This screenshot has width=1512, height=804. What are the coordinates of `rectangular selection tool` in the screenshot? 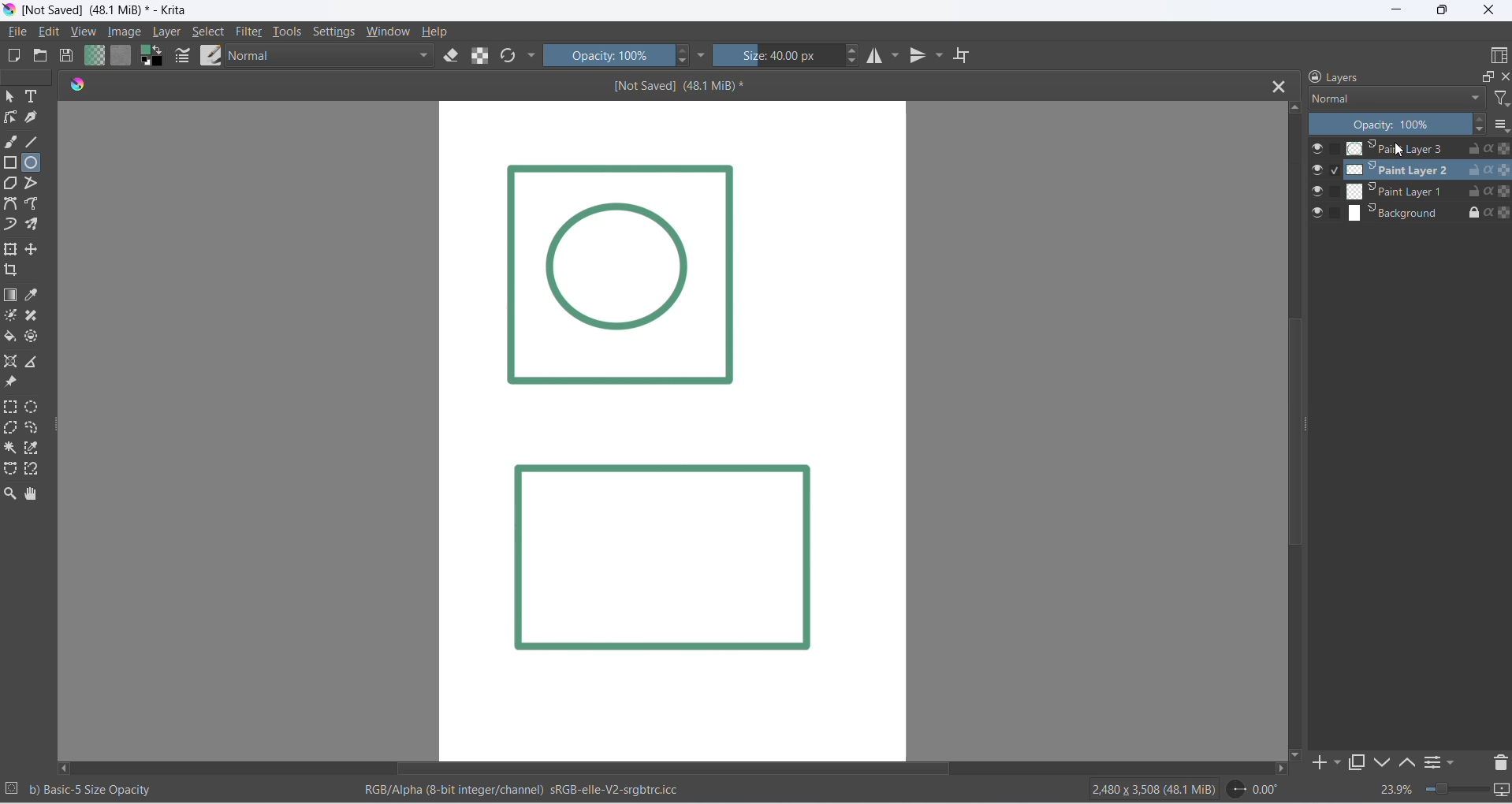 It's located at (10, 408).